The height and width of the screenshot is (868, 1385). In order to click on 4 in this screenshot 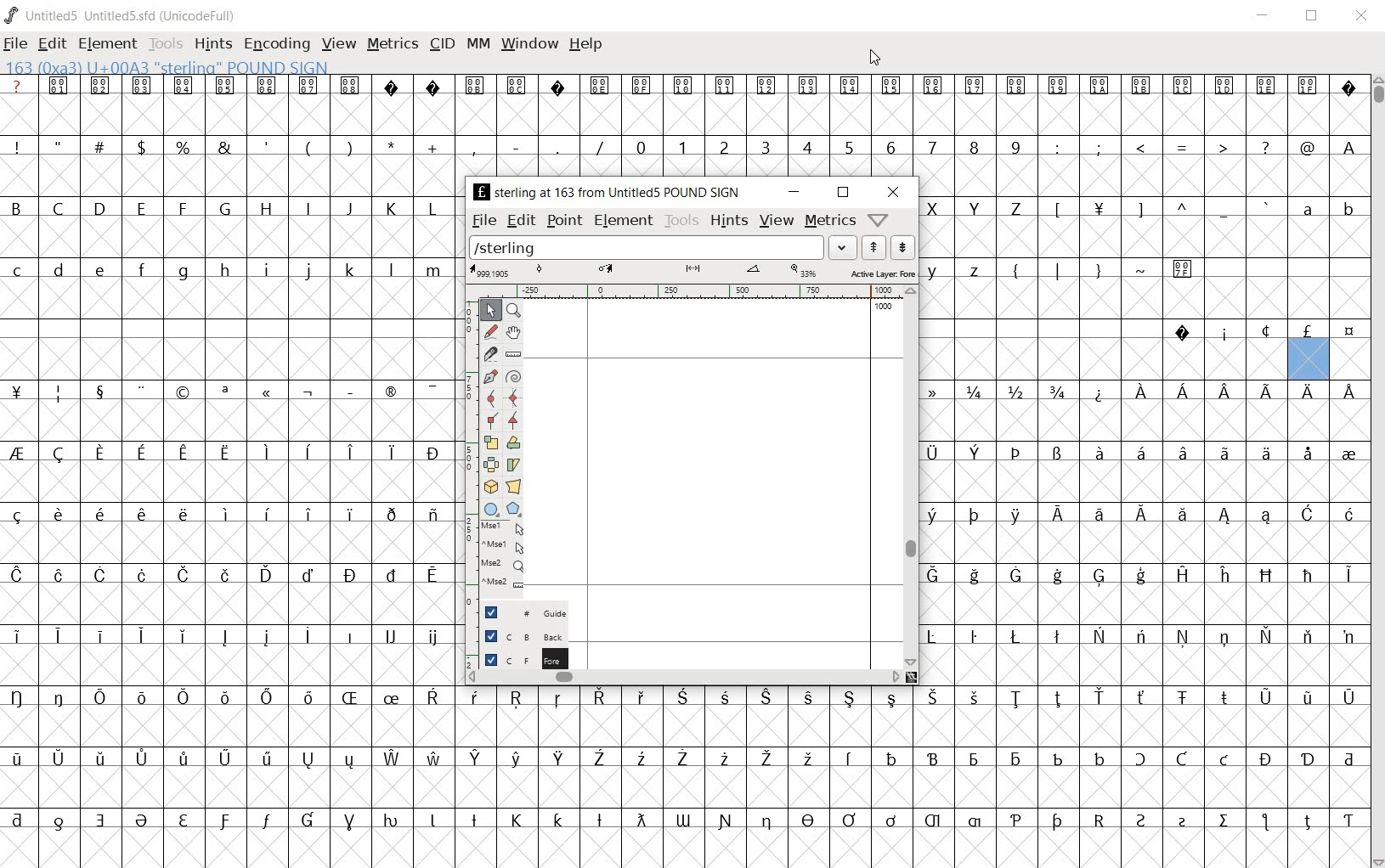, I will do `click(806, 146)`.